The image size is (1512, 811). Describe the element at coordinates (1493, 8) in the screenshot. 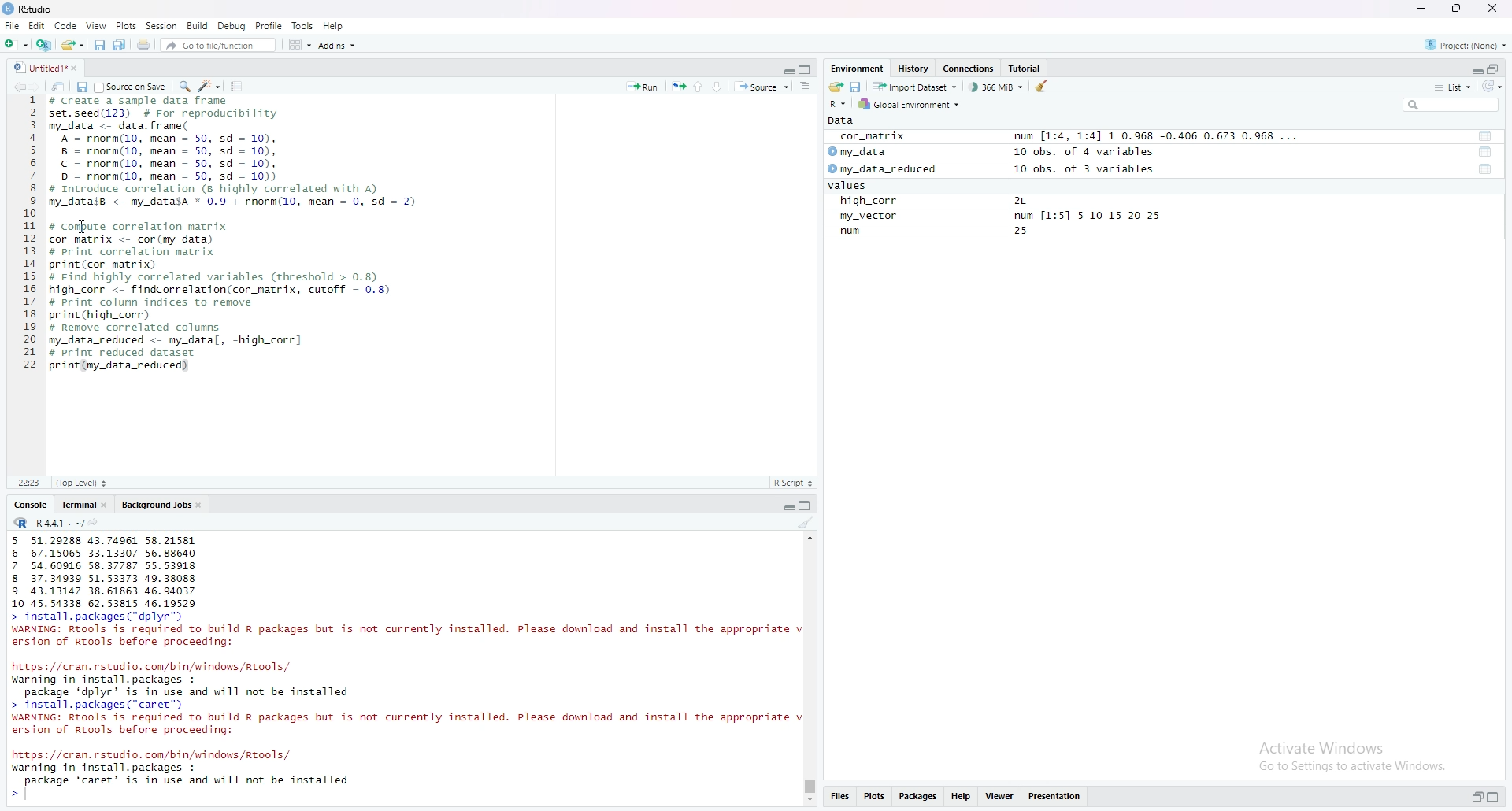

I see `close` at that location.